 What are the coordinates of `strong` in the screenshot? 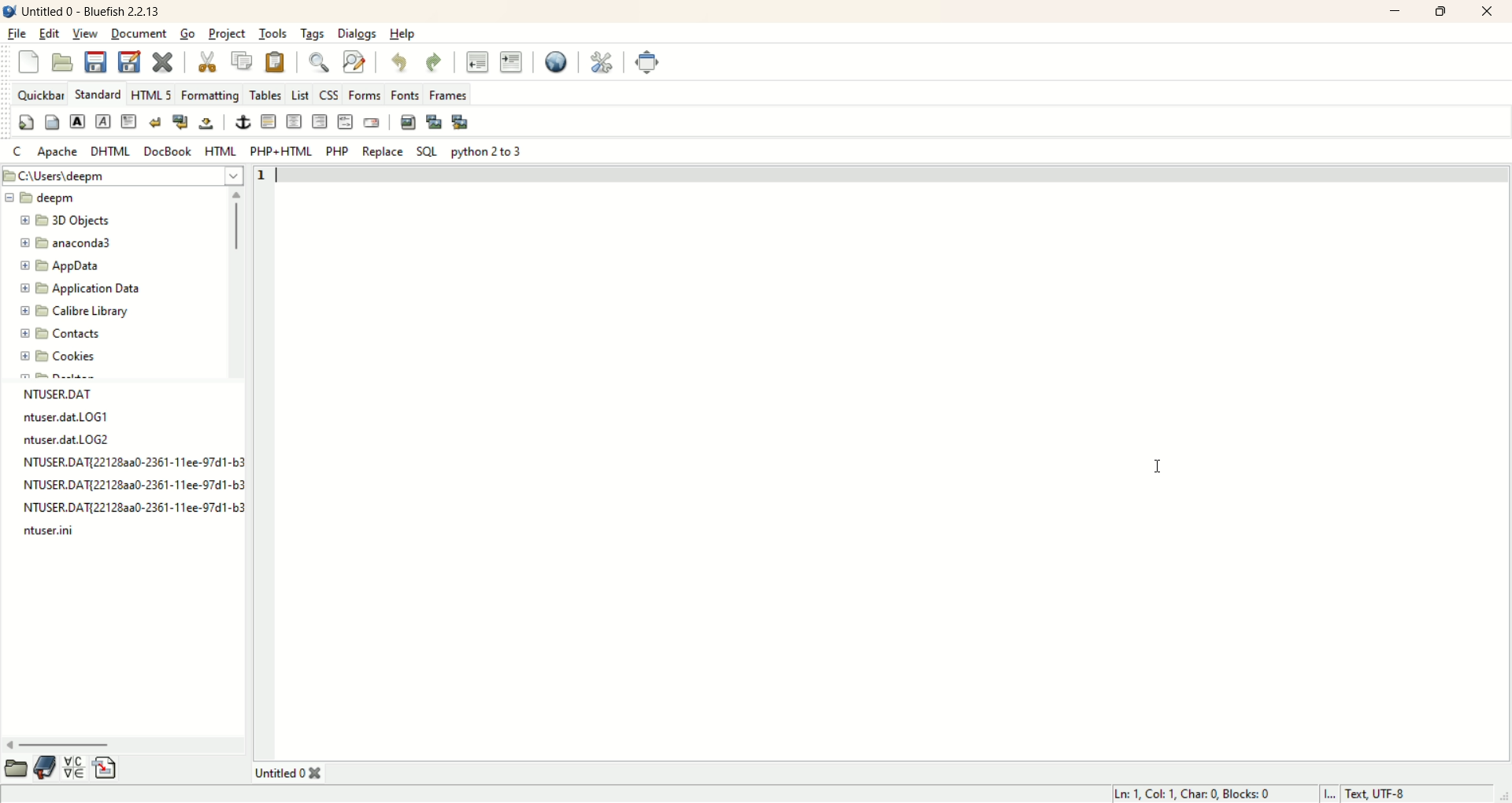 It's located at (76, 122).